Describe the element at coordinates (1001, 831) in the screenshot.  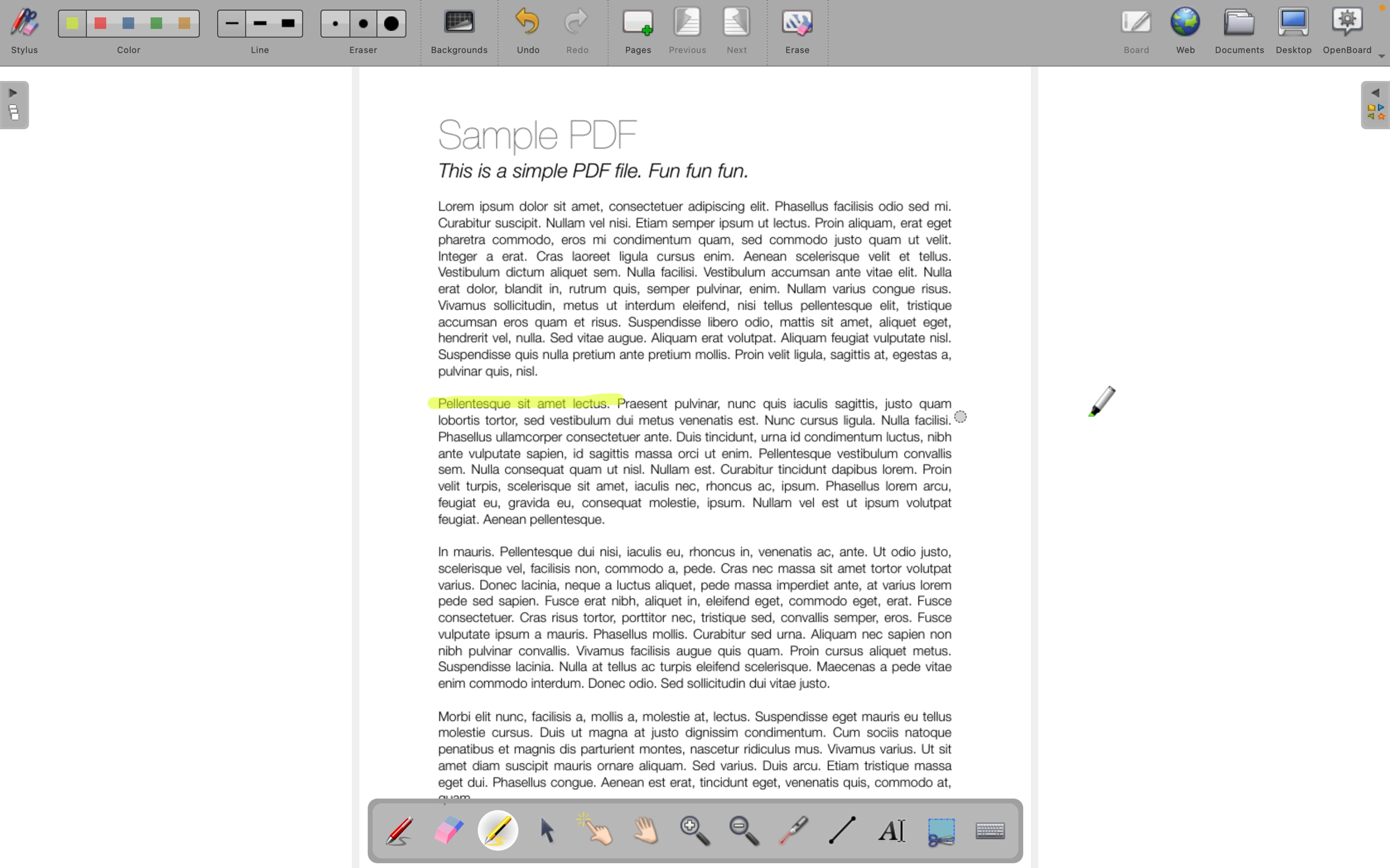
I see `display virtual keyboard` at that location.